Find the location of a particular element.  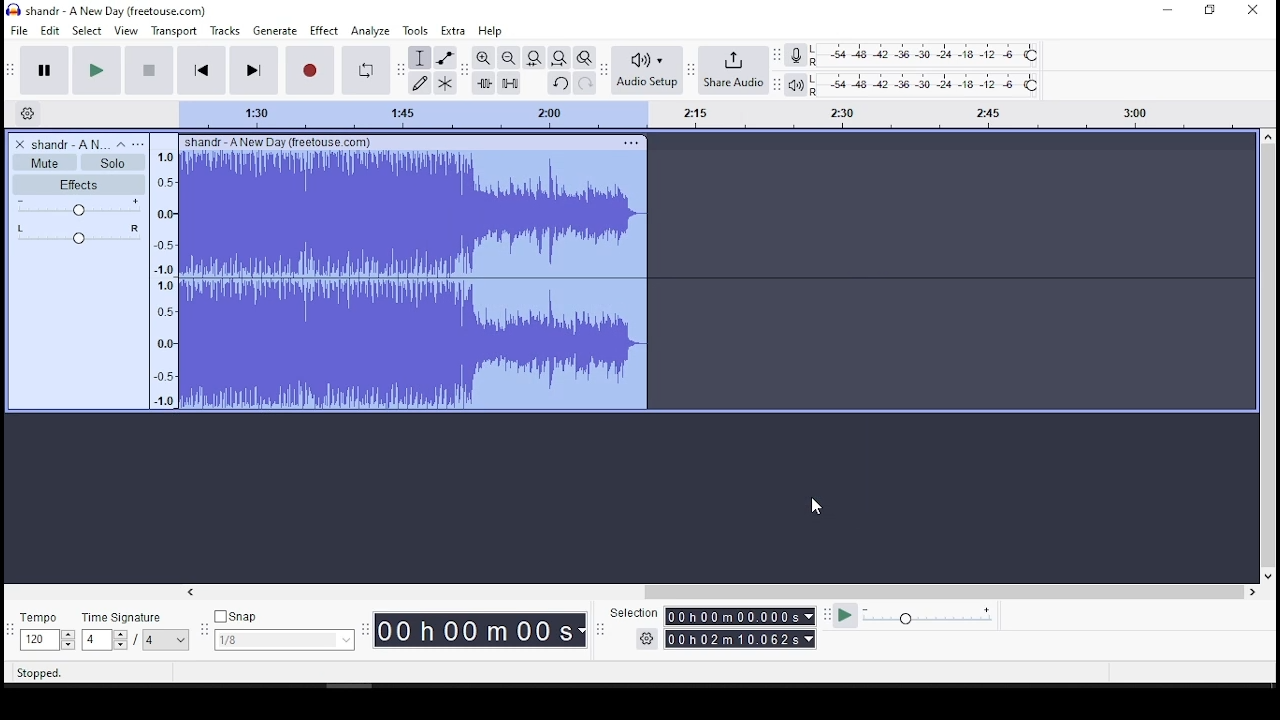

enable looping is located at coordinates (367, 70).